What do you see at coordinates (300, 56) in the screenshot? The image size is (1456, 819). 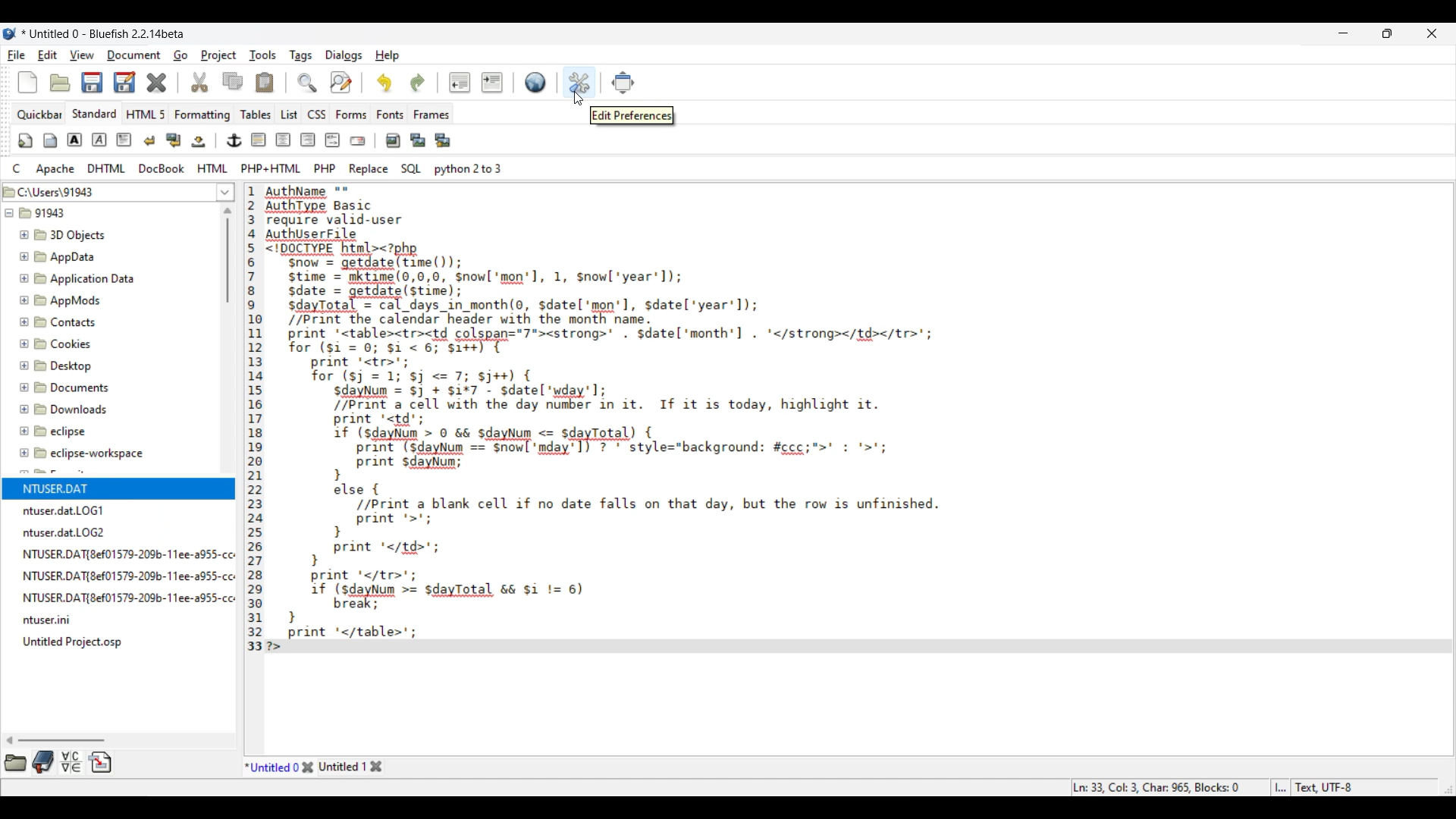 I see `Tags menu` at bounding box center [300, 56].